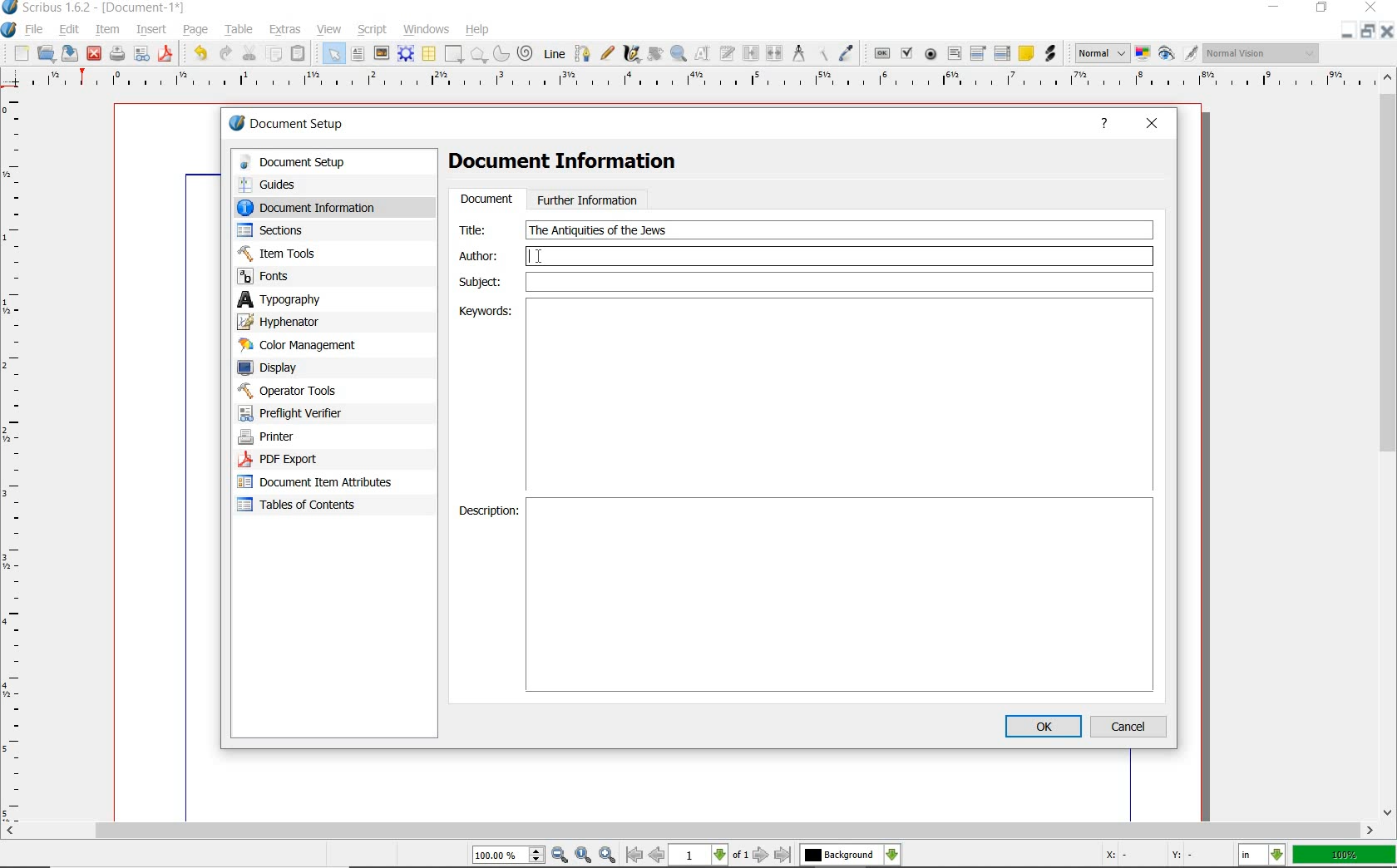  What do you see at coordinates (382, 52) in the screenshot?
I see `image frame` at bounding box center [382, 52].